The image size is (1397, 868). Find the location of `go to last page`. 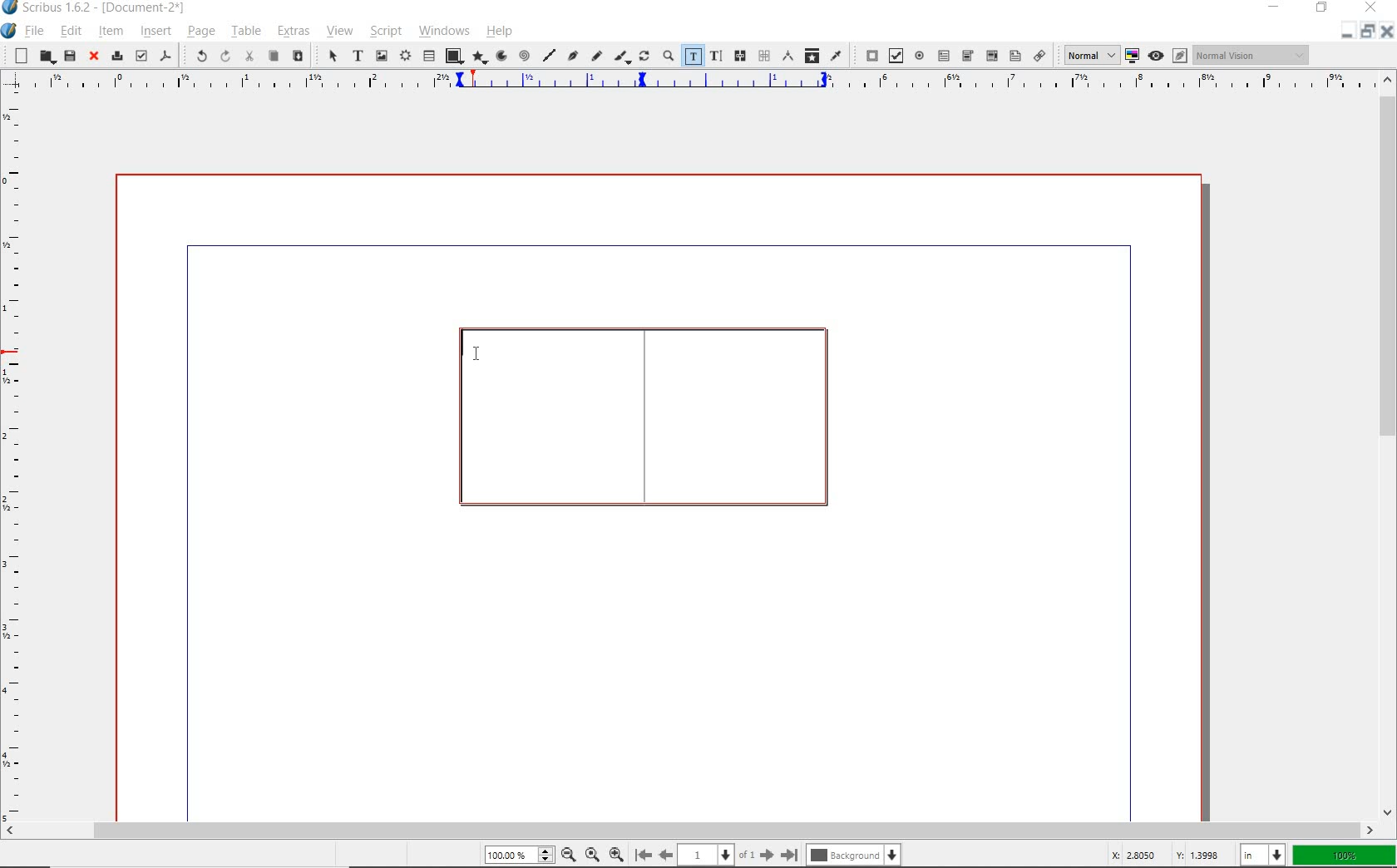

go to last page is located at coordinates (790, 852).